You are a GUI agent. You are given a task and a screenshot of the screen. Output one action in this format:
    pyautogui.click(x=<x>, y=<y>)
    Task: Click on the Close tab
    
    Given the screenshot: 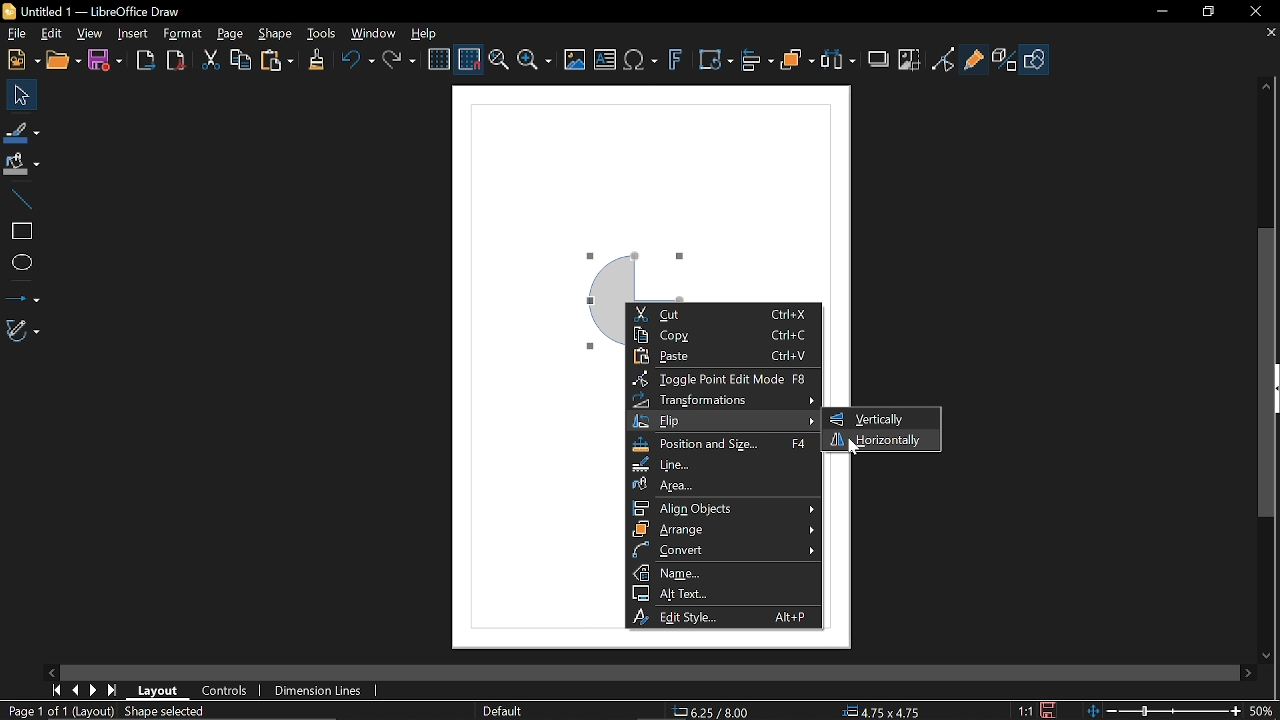 What is the action you would take?
    pyautogui.click(x=1271, y=33)
    